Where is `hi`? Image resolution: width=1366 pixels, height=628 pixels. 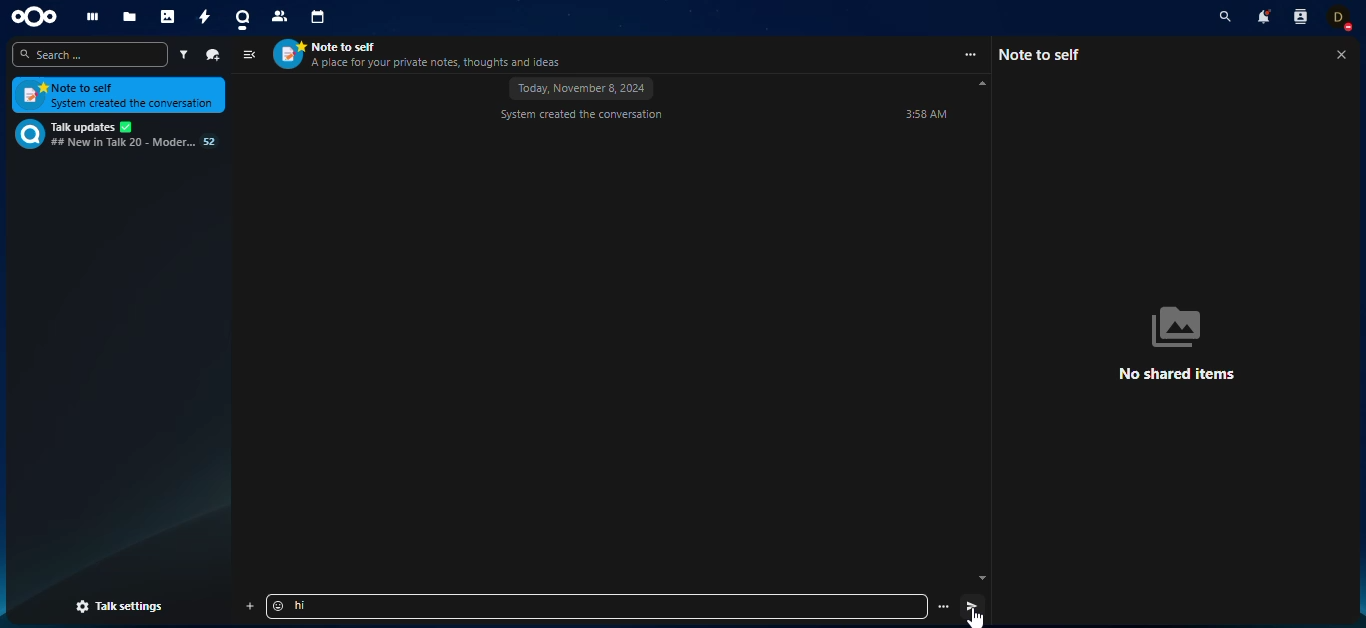
hi is located at coordinates (311, 606).